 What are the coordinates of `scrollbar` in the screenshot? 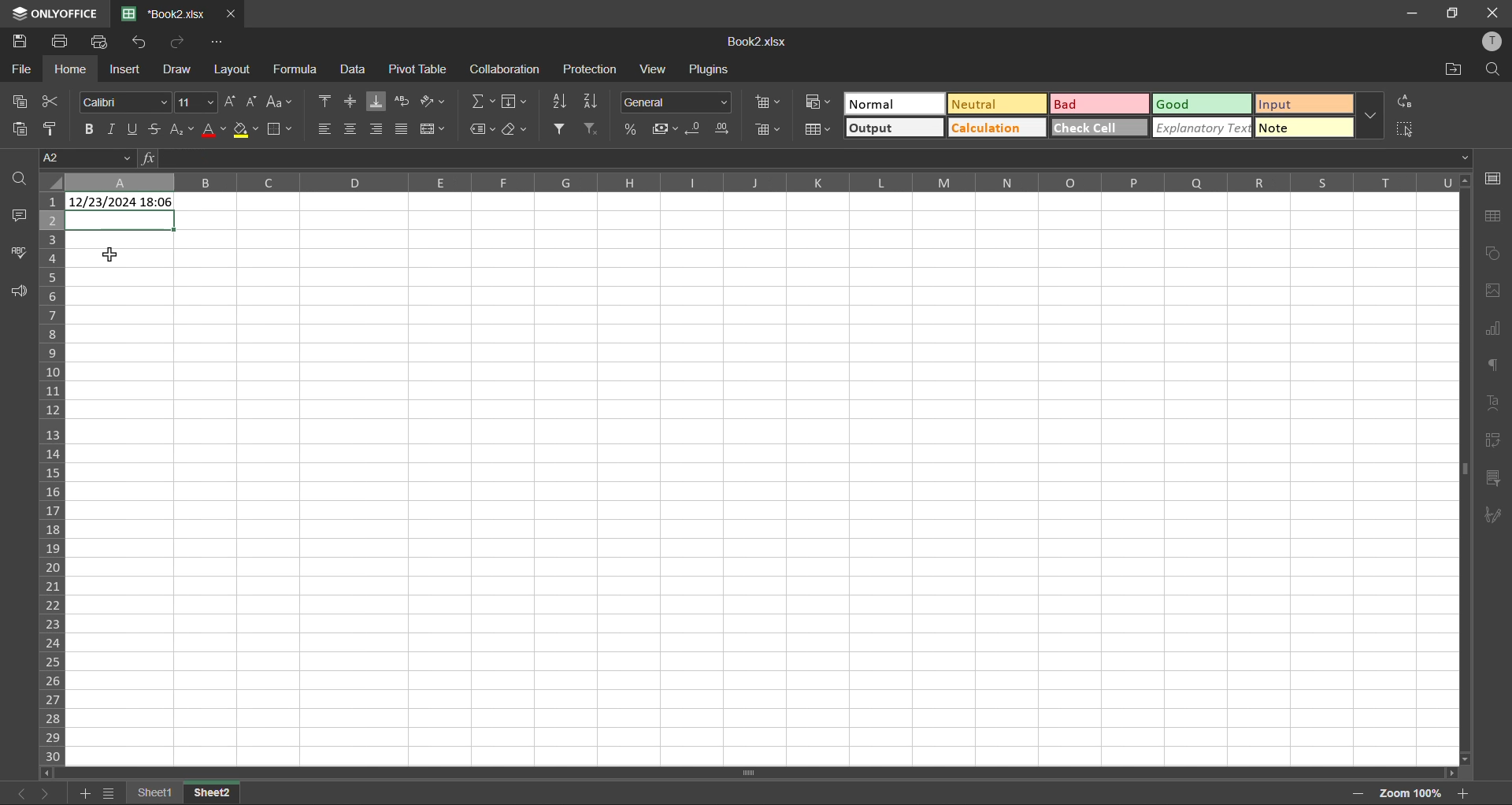 It's located at (747, 773).